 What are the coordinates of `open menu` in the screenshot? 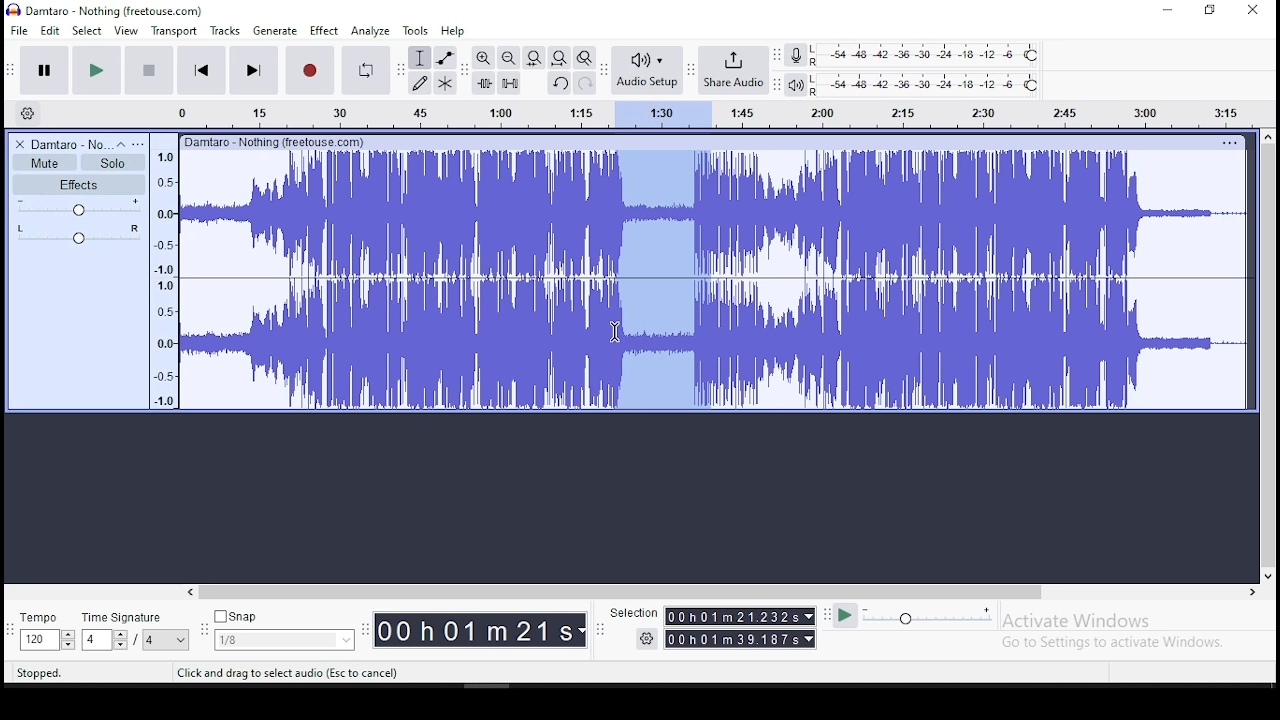 It's located at (138, 144).